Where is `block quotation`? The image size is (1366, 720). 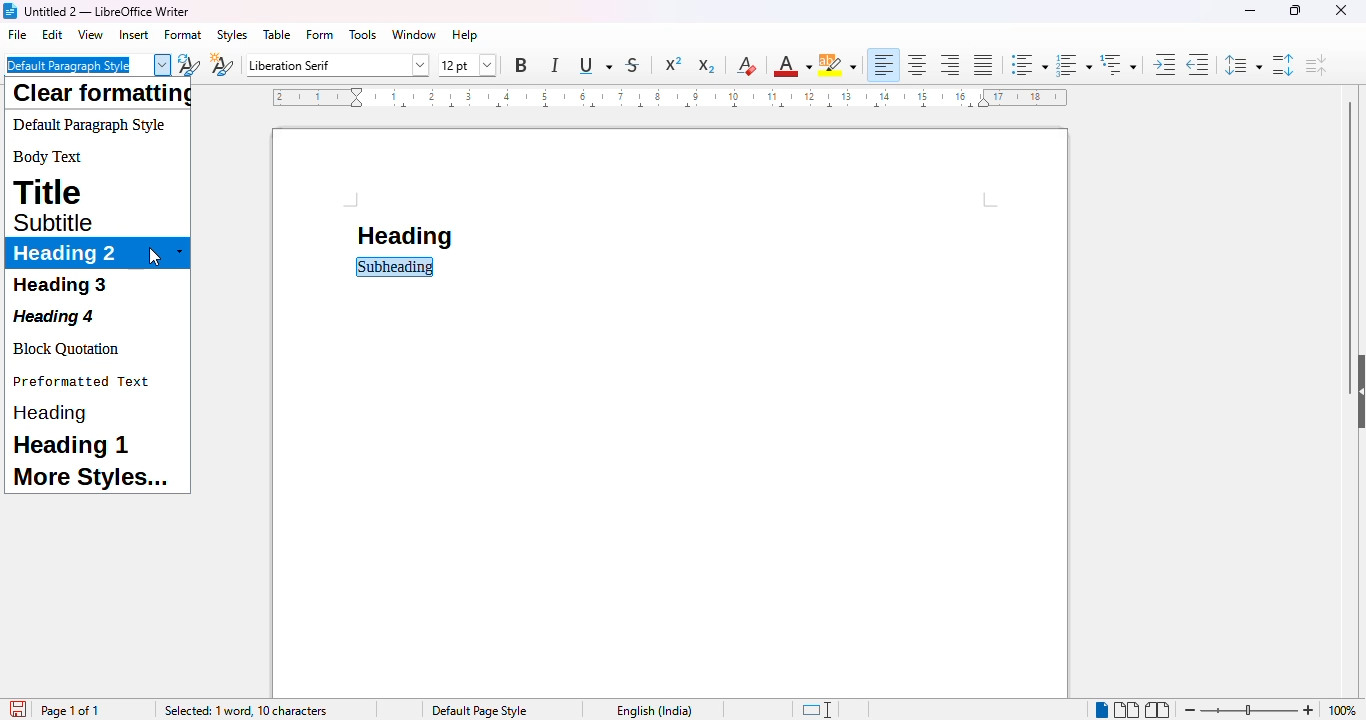
block quotation is located at coordinates (67, 349).